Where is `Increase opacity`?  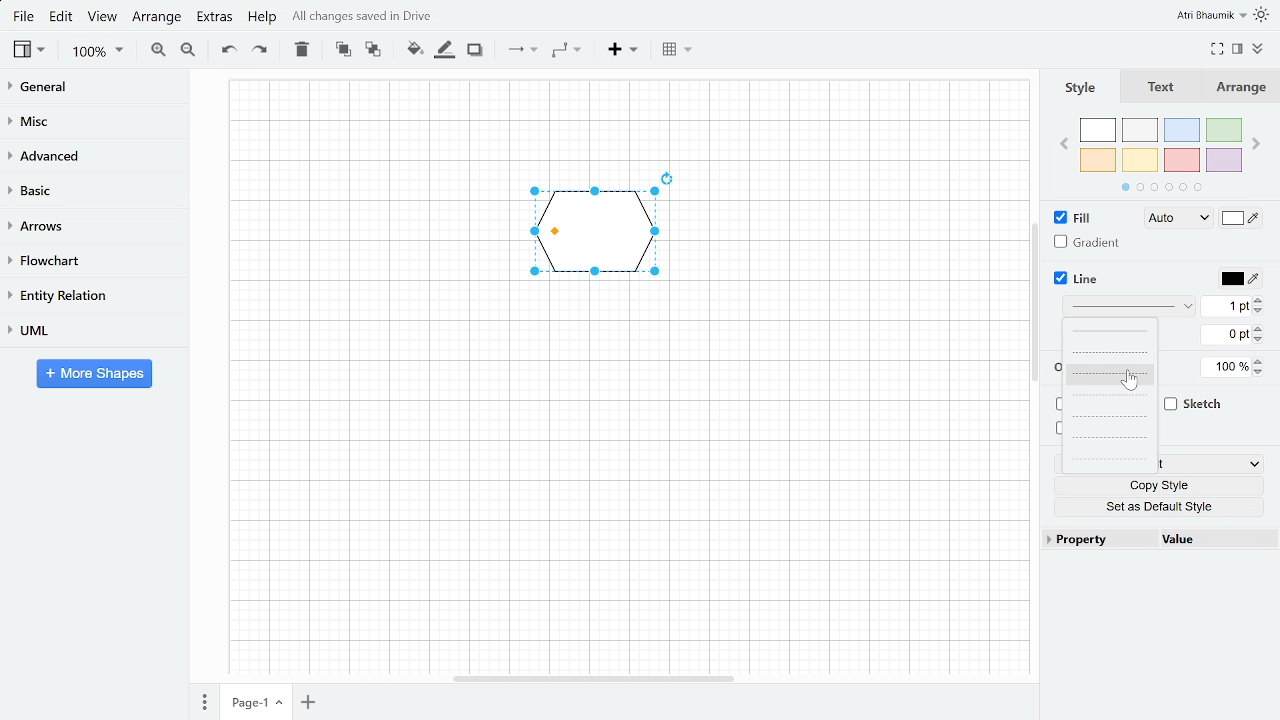
Increase opacity is located at coordinates (1259, 362).